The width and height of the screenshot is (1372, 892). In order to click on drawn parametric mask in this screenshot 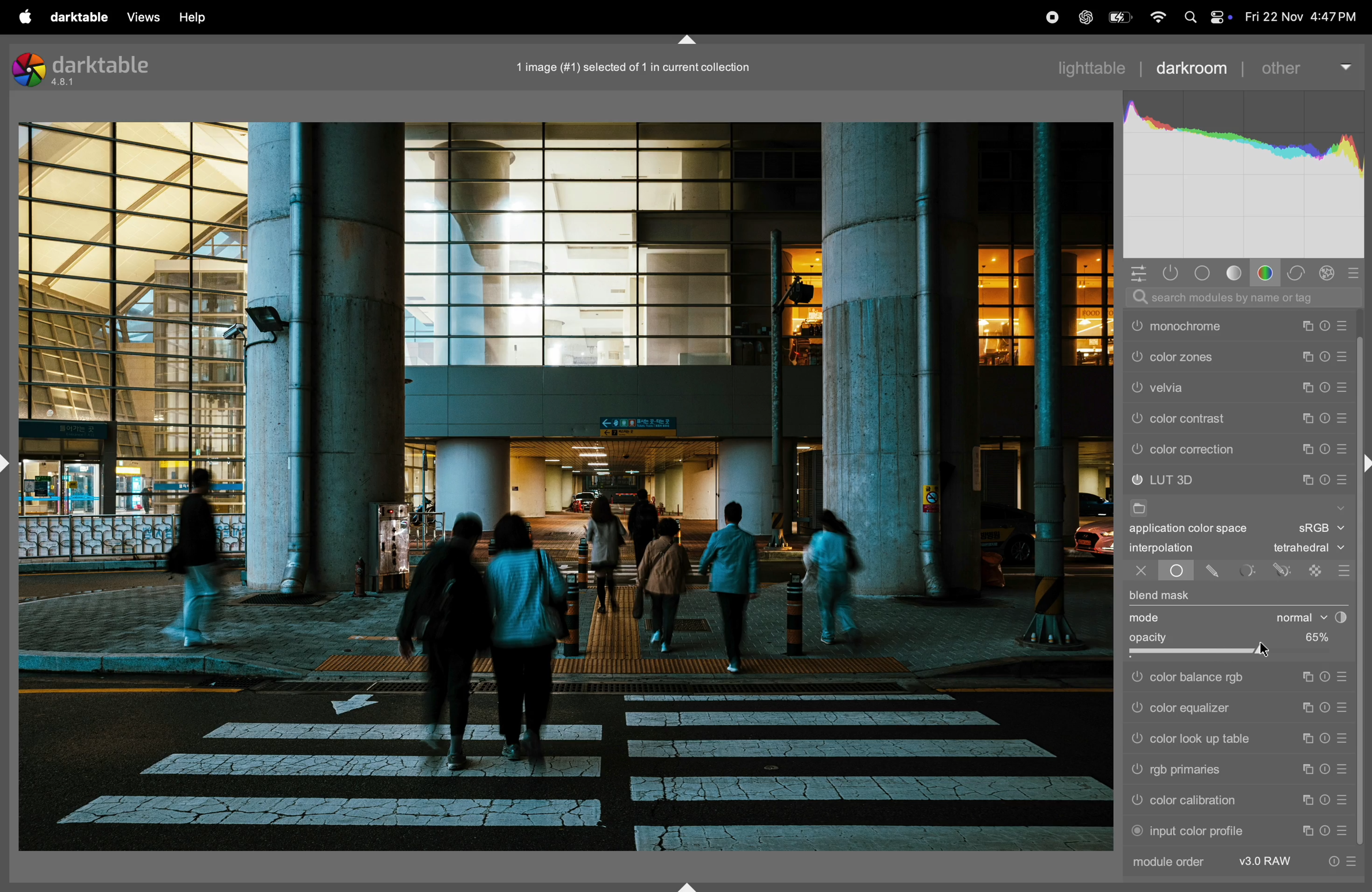, I will do `click(1283, 570)`.